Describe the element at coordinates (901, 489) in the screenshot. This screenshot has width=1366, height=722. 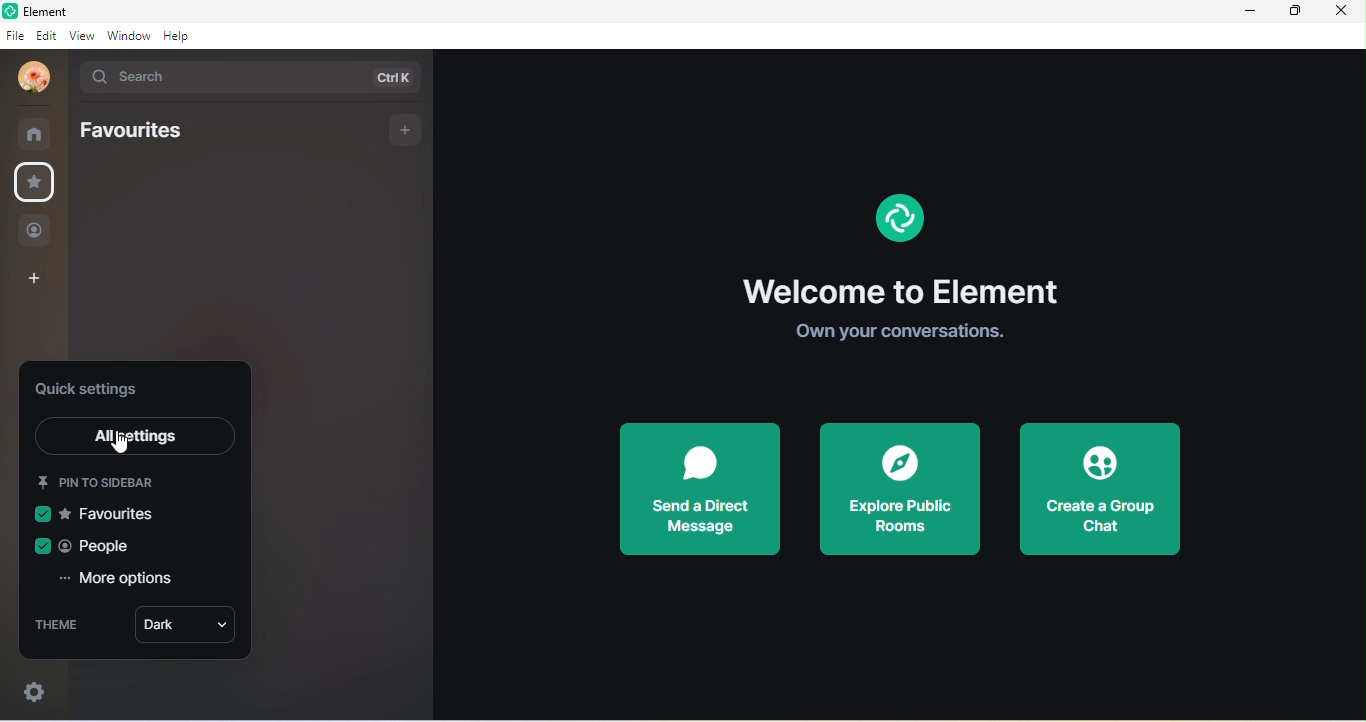
I see `explore public rooms` at that location.